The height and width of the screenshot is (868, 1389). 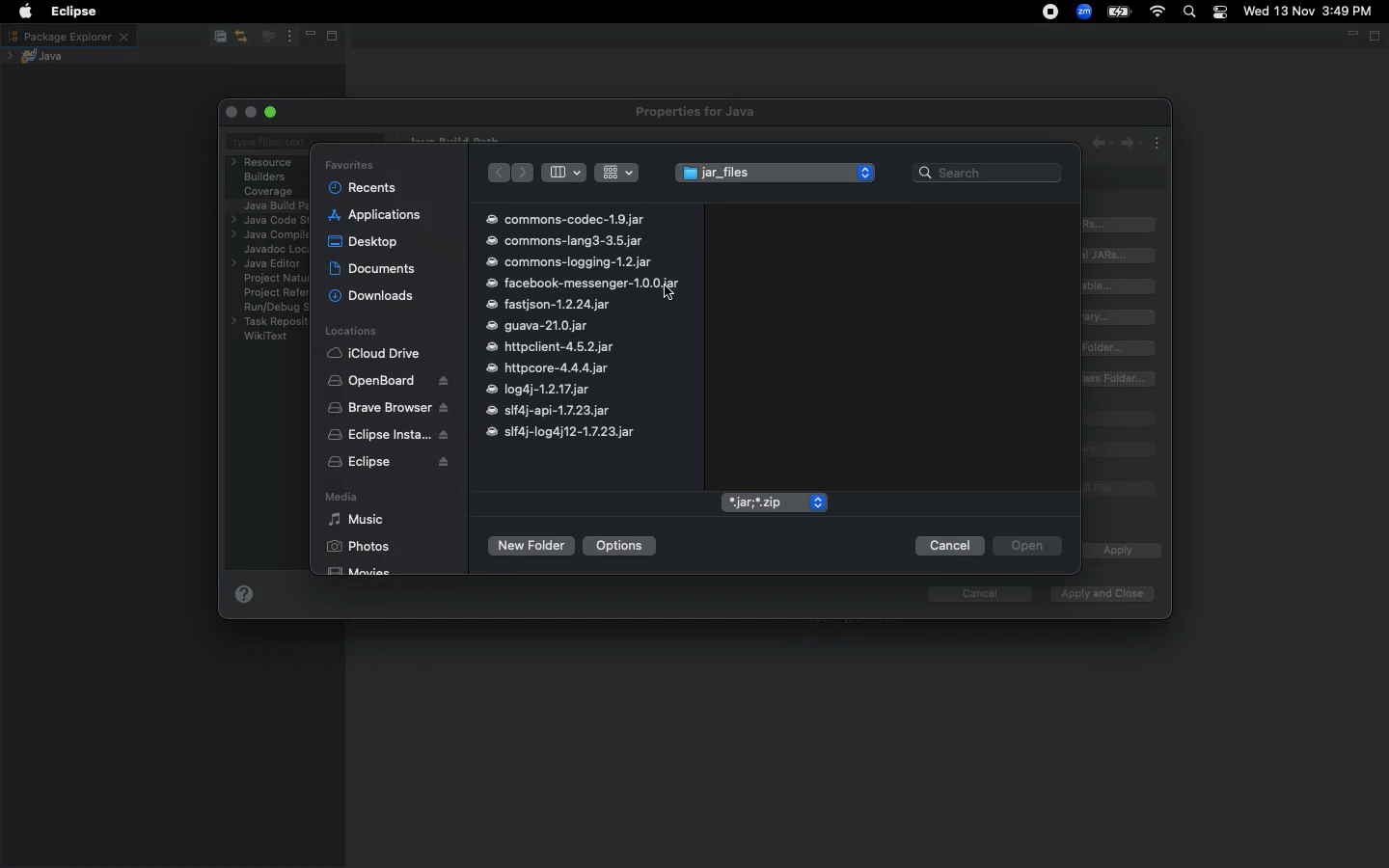 I want to click on Recording, so click(x=1051, y=14).